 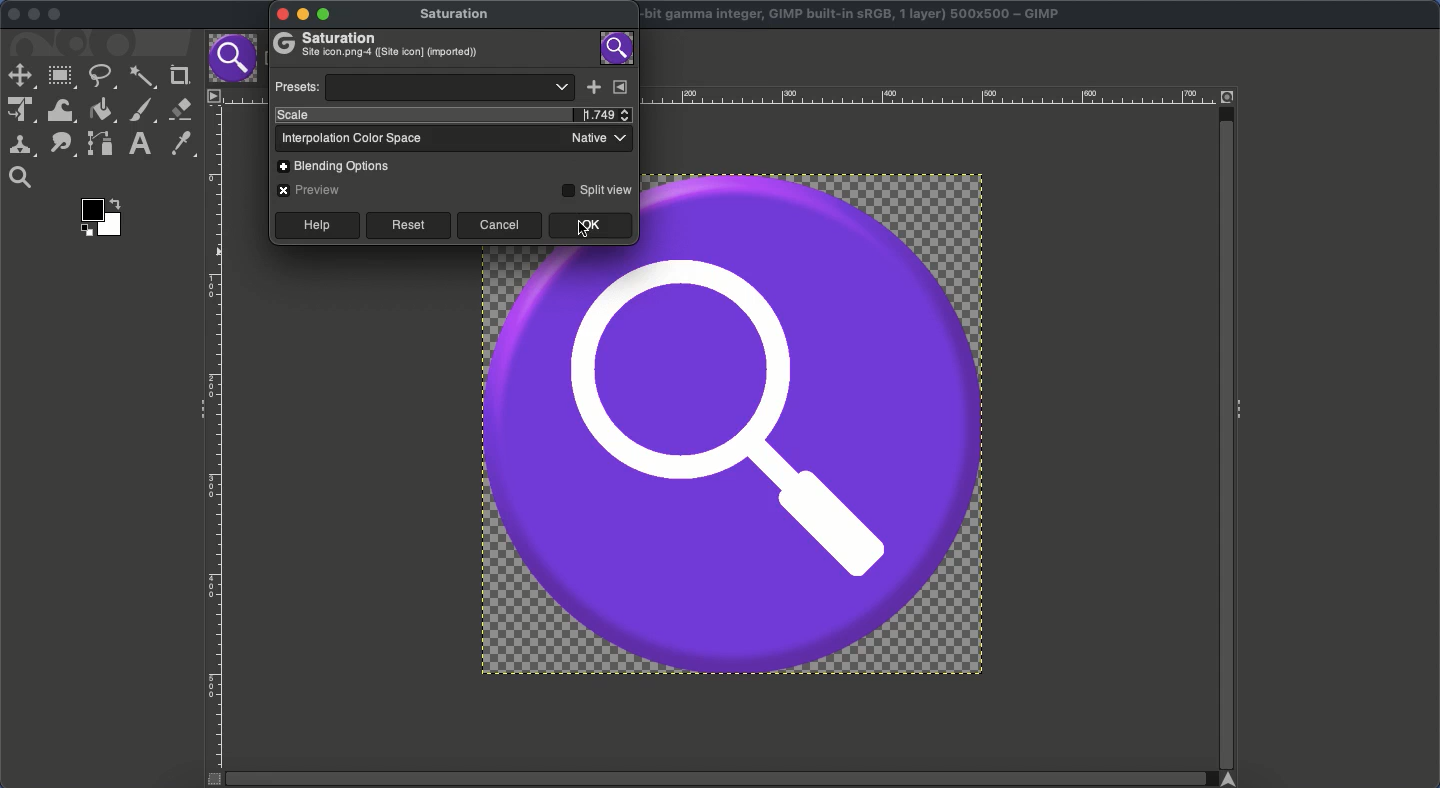 What do you see at coordinates (58, 15) in the screenshot?
I see `Maximize` at bounding box center [58, 15].